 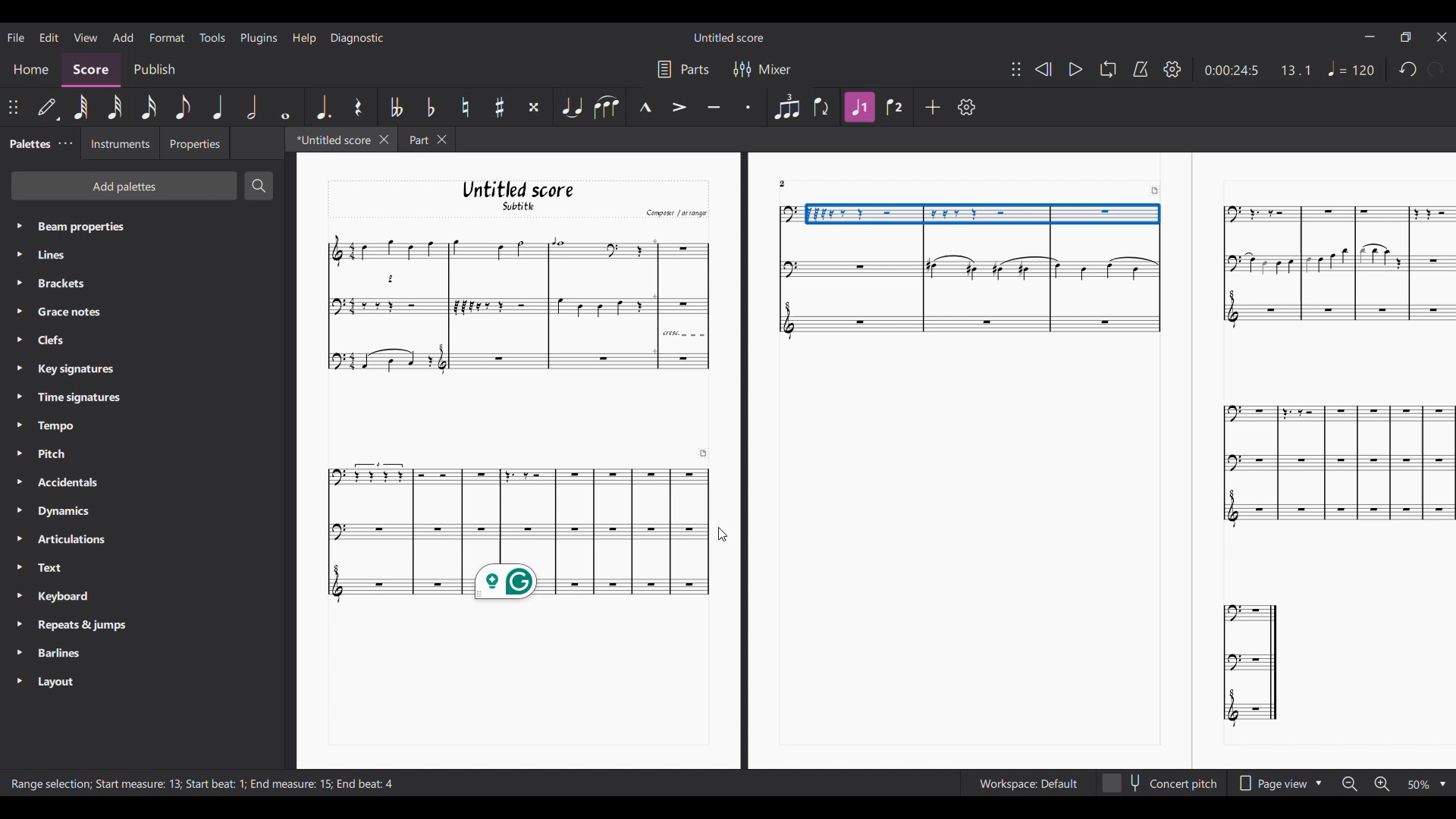 What do you see at coordinates (183, 107) in the screenshot?
I see `8th note` at bounding box center [183, 107].